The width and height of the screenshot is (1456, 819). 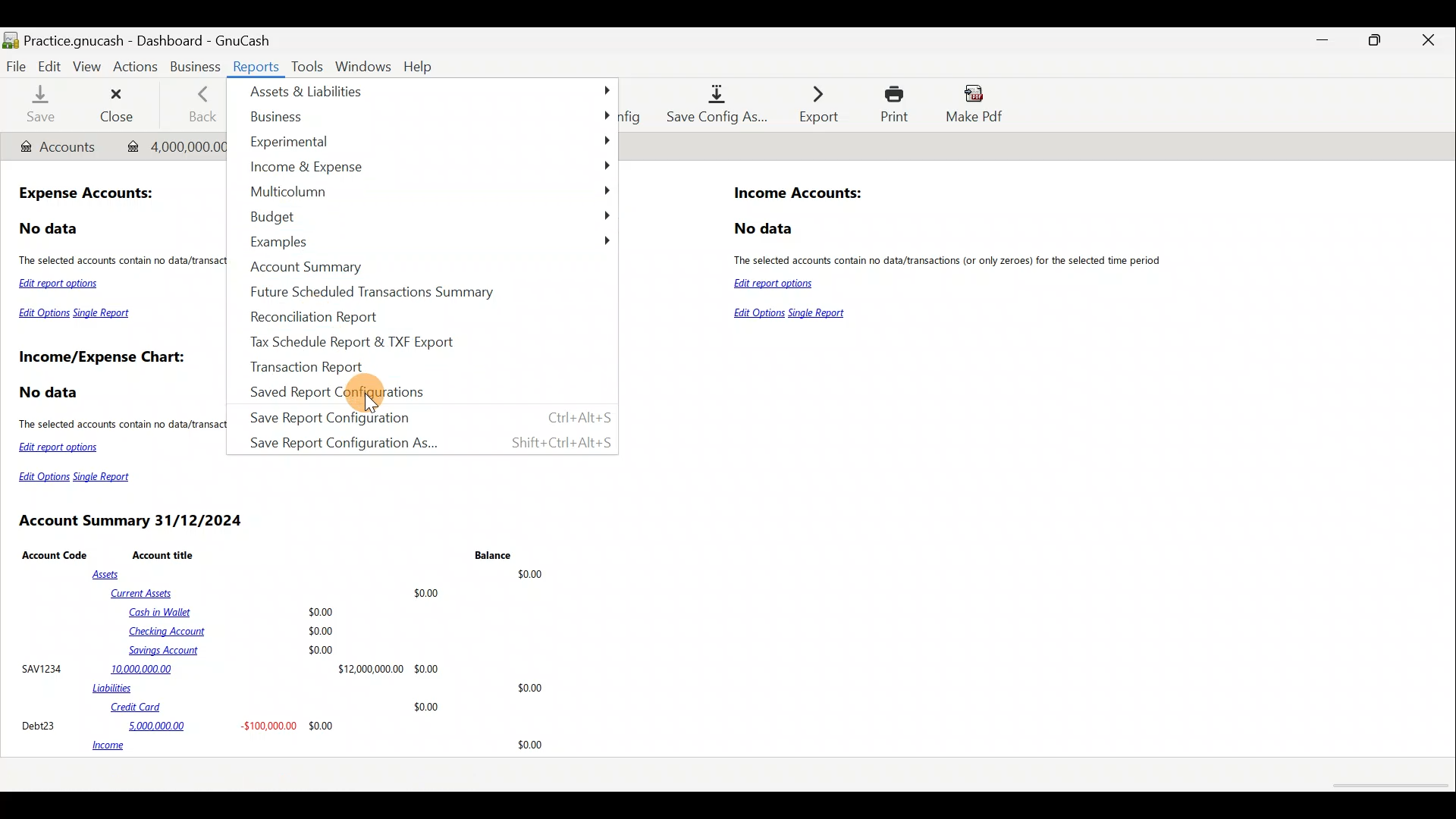 I want to click on Current Assets $0.00, so click(x=278, y=592).